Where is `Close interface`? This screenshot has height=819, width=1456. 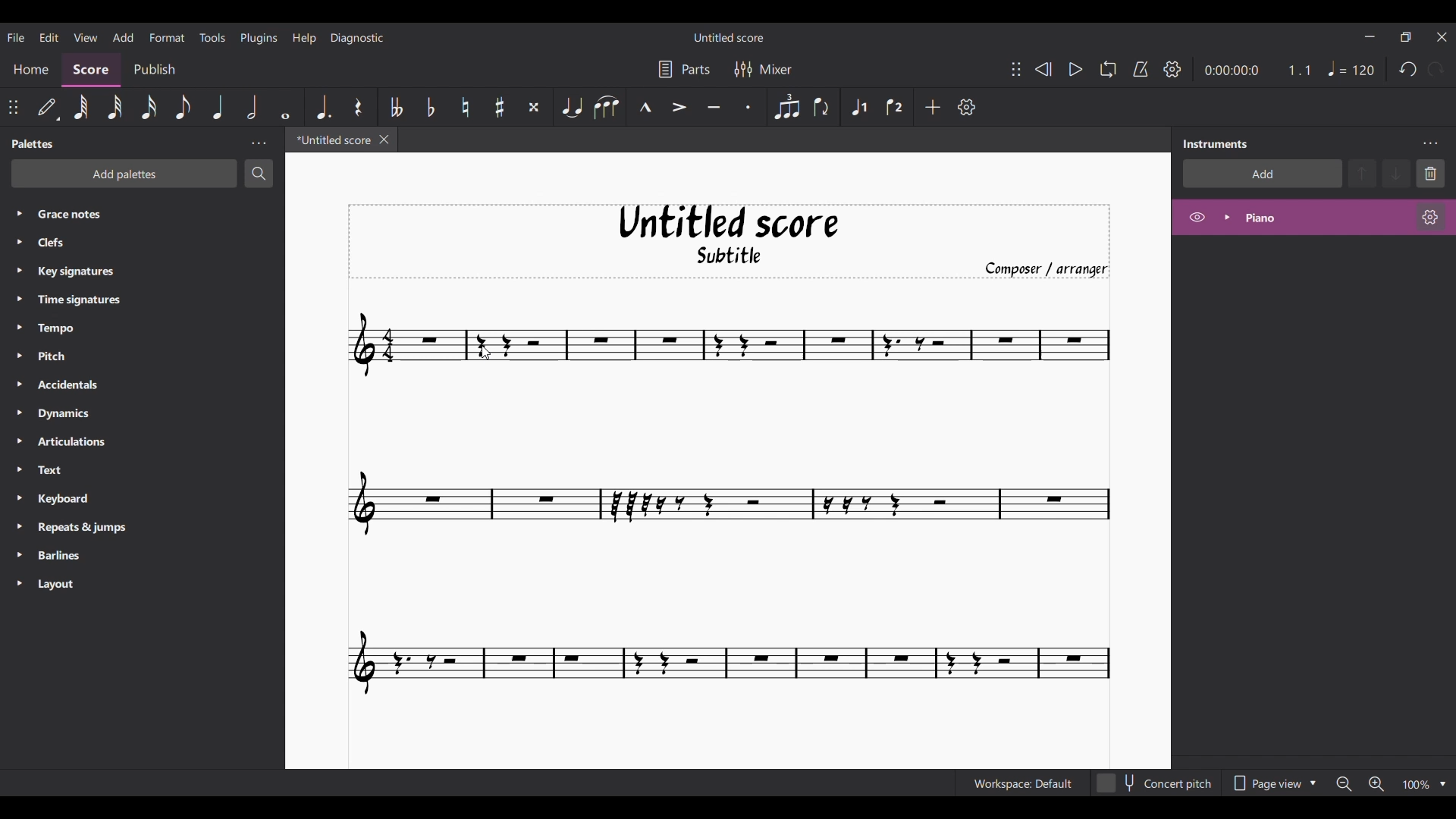 Close interface is located at coordinates (1442, 37).